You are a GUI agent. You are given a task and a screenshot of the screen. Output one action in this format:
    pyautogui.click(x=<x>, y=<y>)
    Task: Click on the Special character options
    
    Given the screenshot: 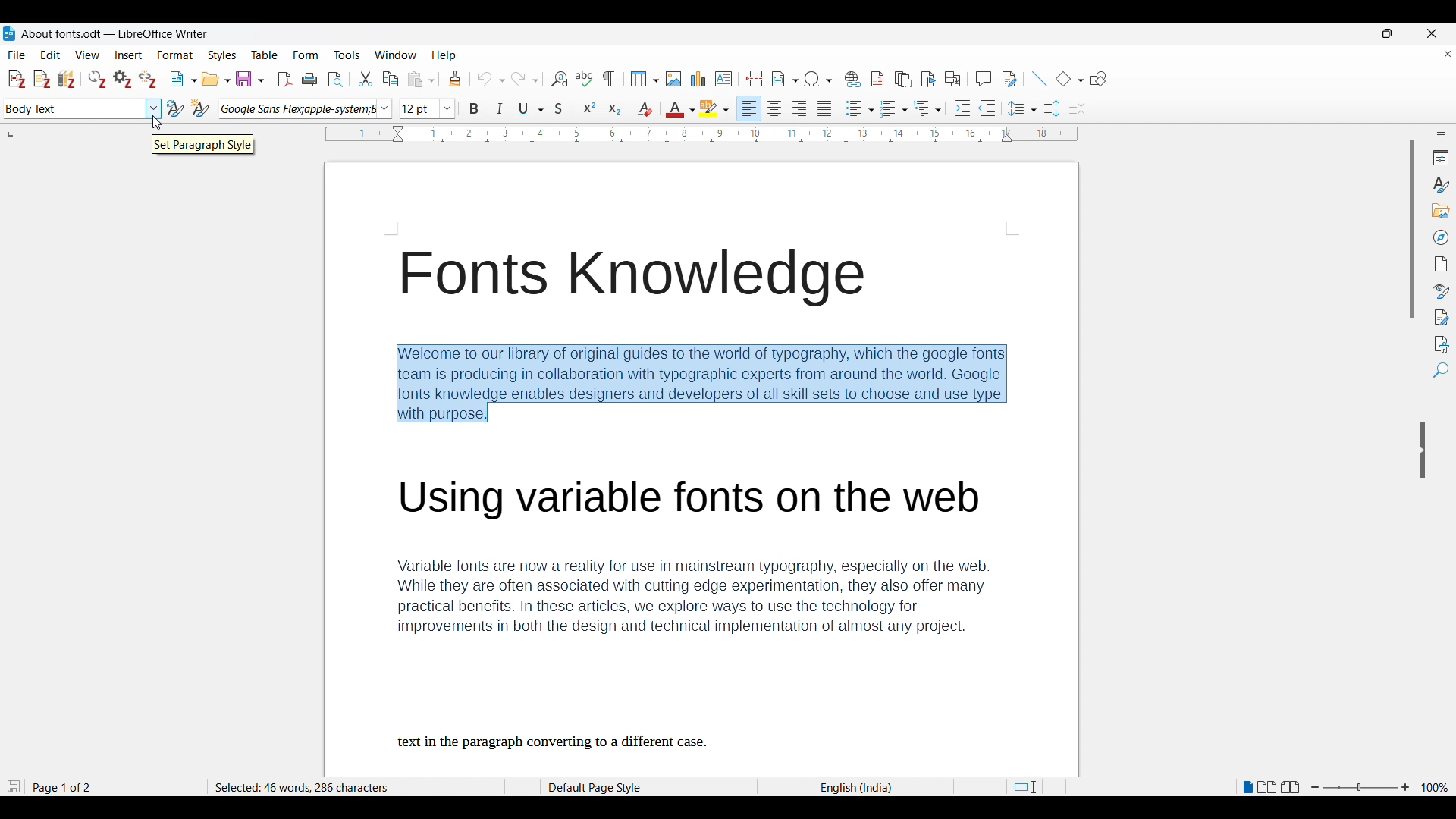 What is the action you would take?
    pyautogui.click(x=818, y=79)
    